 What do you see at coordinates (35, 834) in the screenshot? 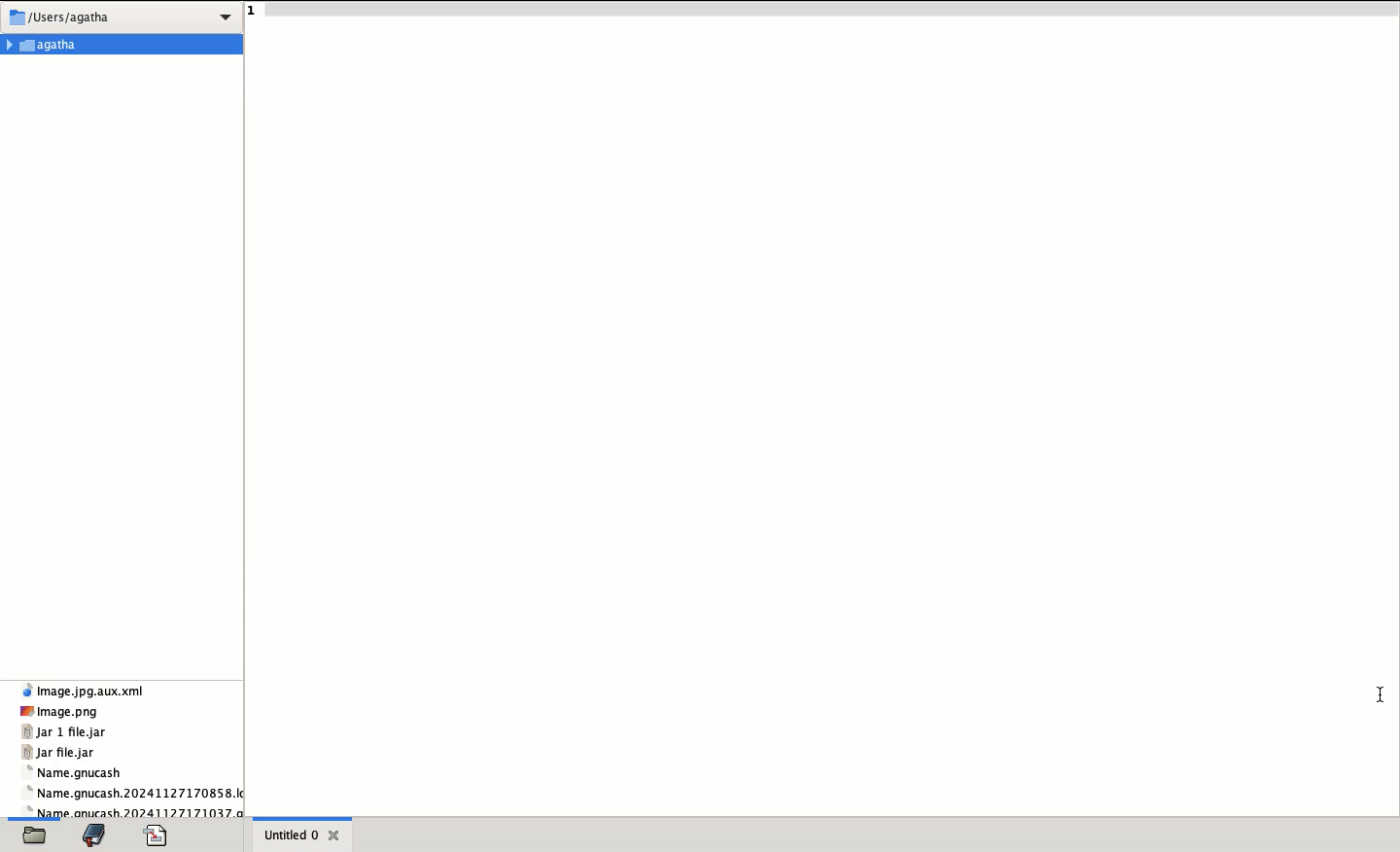
I see `file, current selection` at bounding box center [35, 834].